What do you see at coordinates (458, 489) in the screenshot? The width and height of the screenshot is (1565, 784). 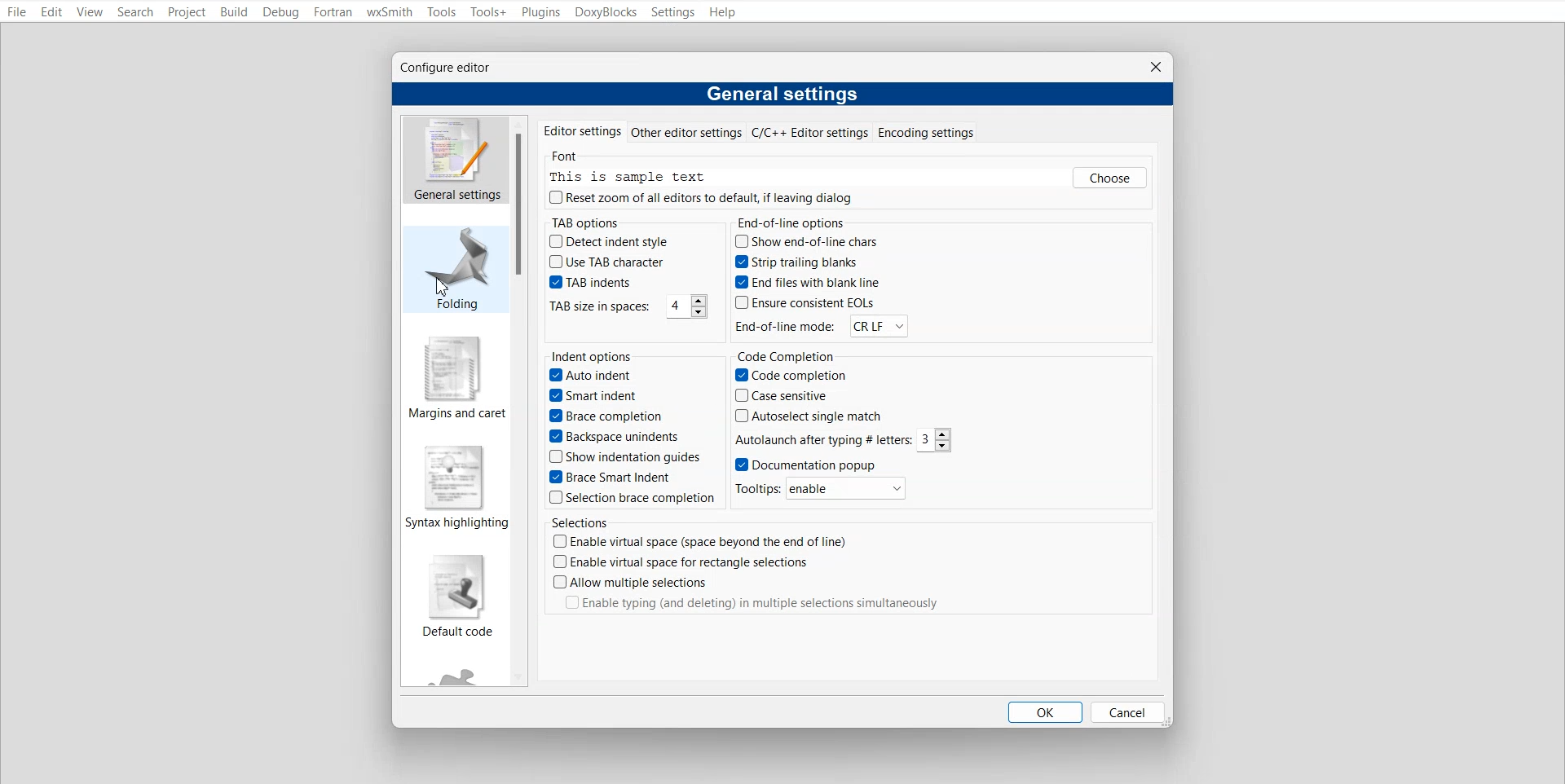 I see `Syntax highlighting` at bounding box center [458, 489].